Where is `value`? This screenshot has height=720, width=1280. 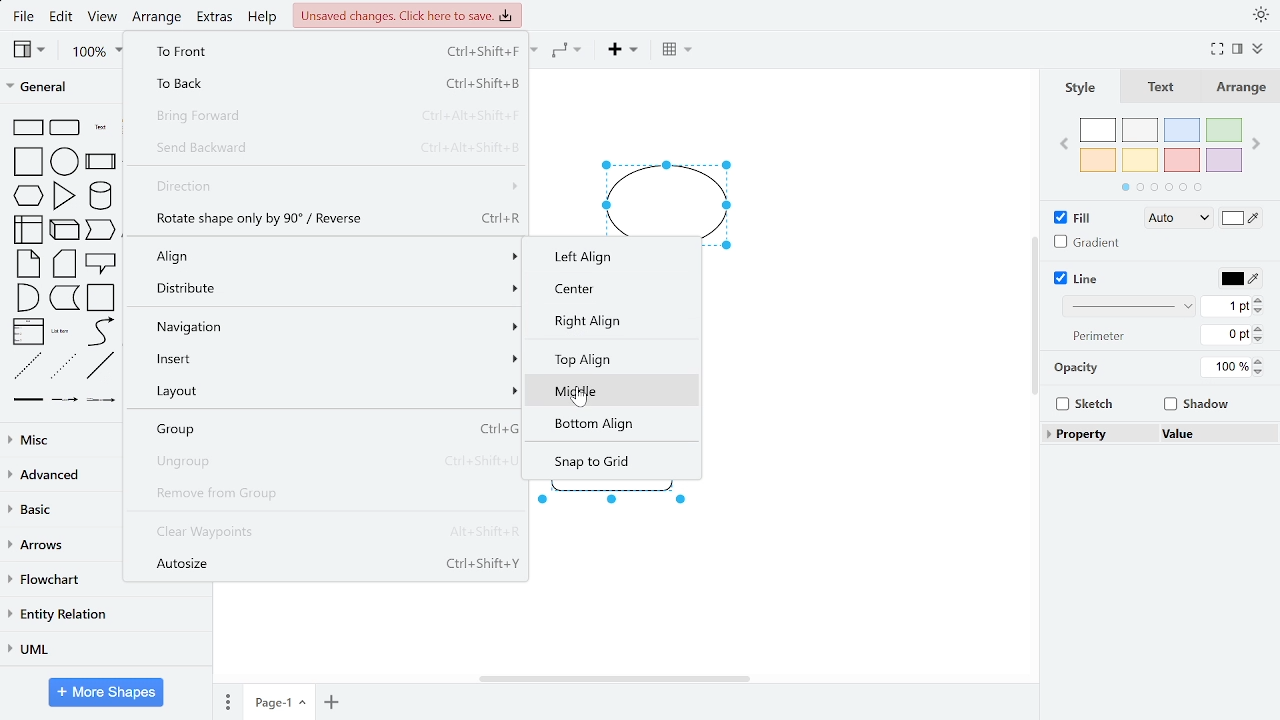
value is located at coordinates (1214, 433).